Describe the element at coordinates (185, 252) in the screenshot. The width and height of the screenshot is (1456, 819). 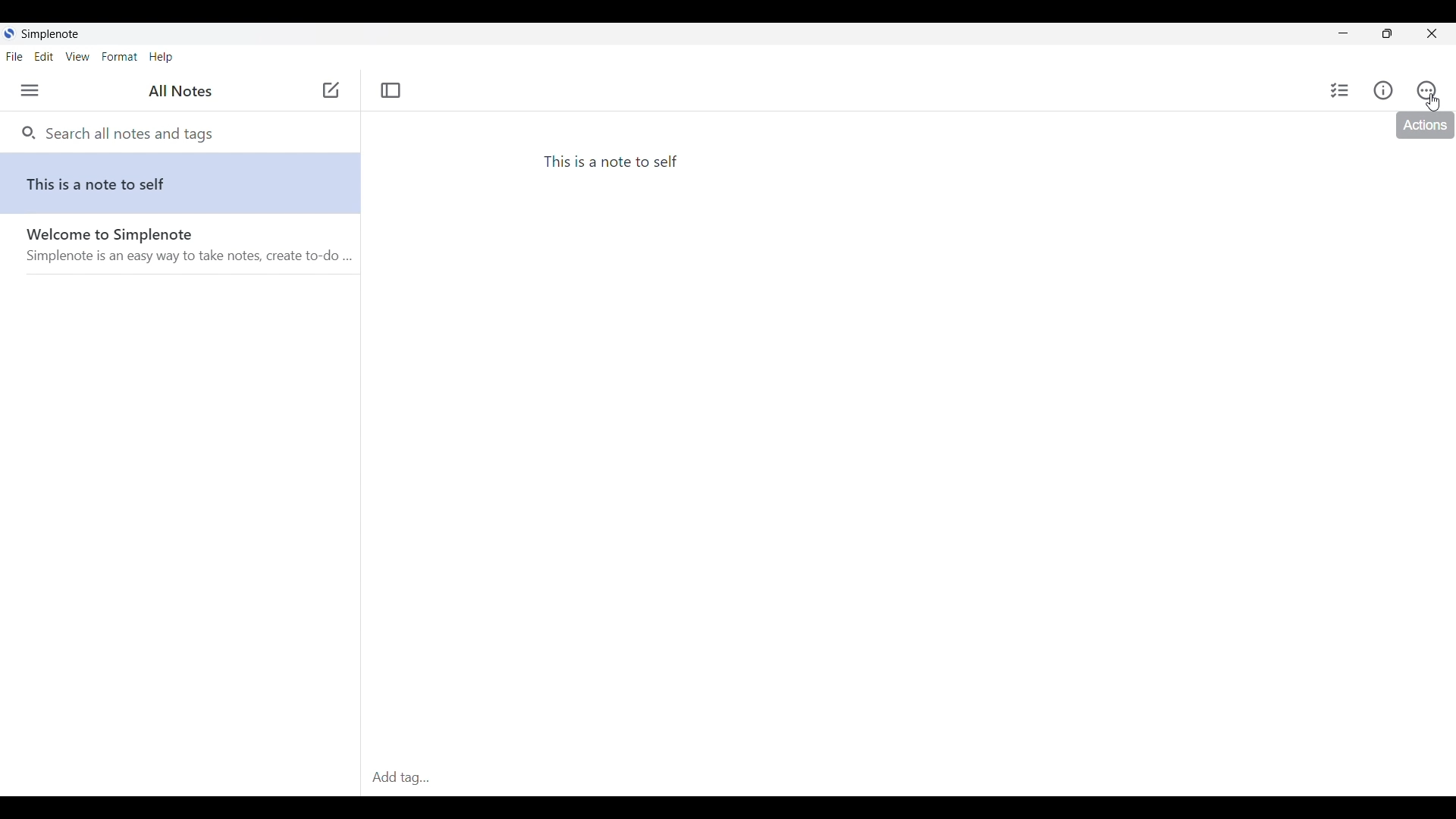
I see `Welcome to Simplenote Simplenote is an easy way to take notes, create to-do...` at that location.